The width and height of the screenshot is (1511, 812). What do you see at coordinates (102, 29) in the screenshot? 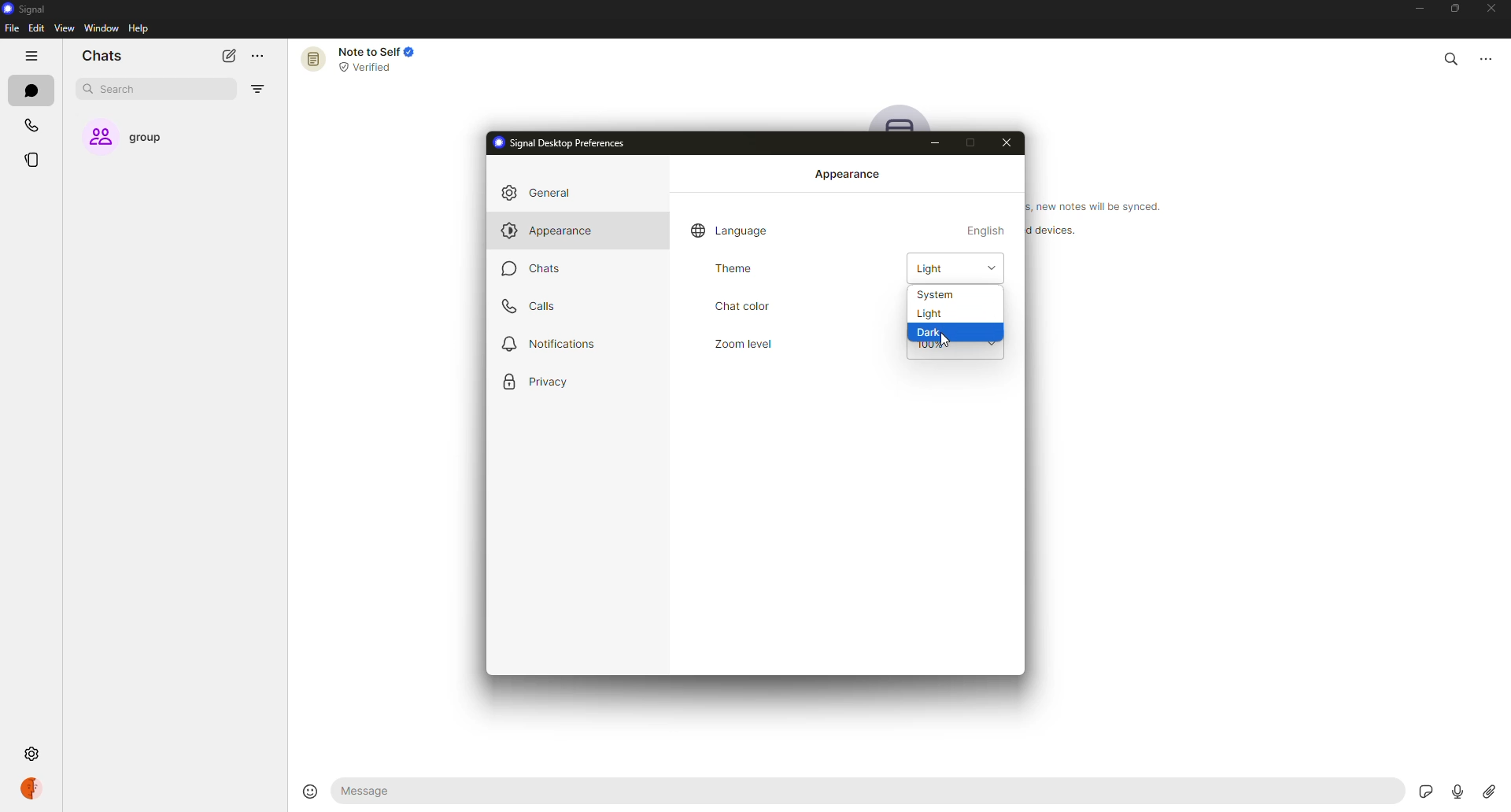
I see `window` at bounding box center [102, 29].